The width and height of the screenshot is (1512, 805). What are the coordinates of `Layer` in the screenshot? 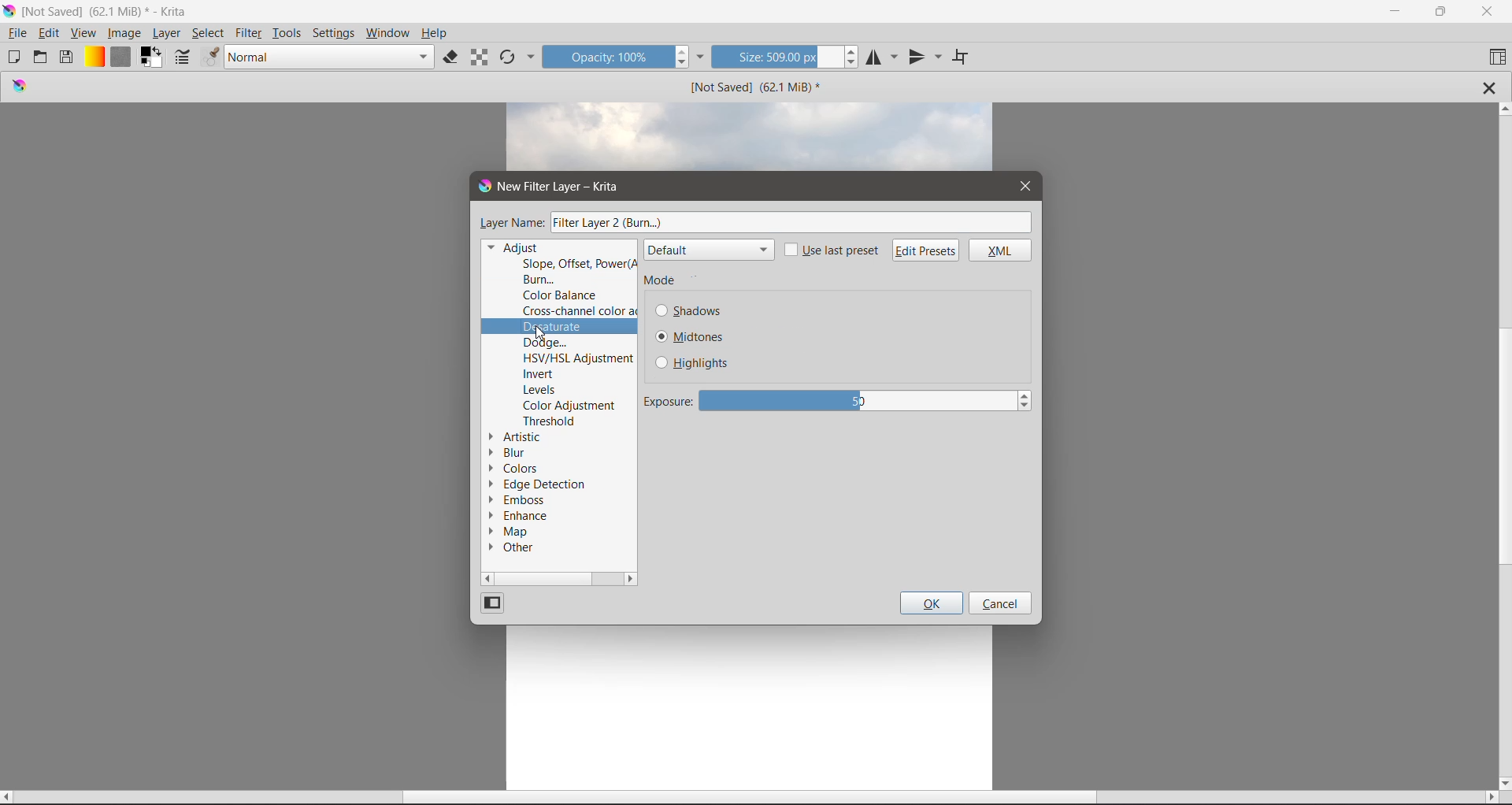 It's located at (169, 33).